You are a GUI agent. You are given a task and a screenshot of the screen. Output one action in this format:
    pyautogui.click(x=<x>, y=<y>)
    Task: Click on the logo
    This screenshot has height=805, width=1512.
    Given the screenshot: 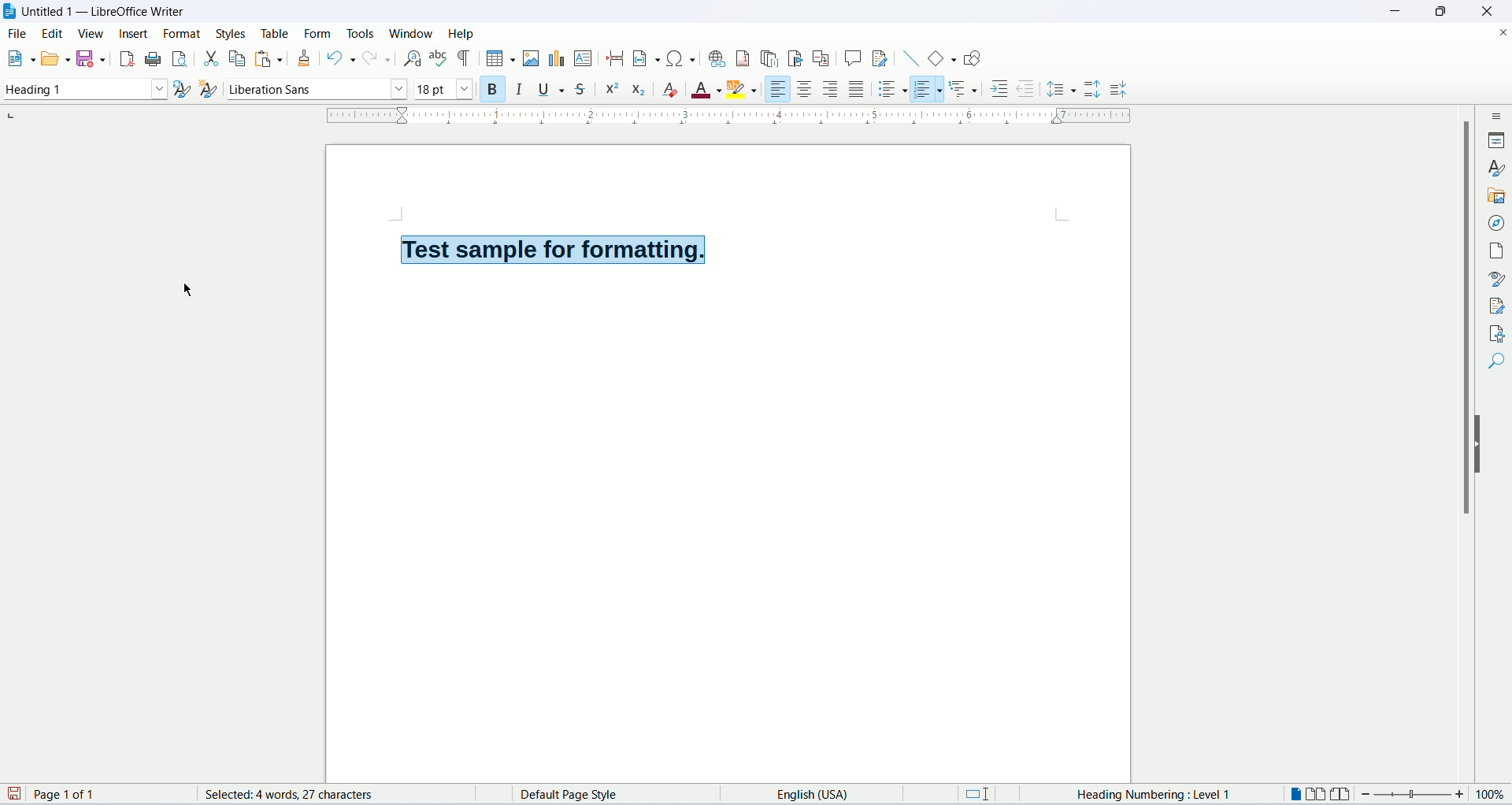 What is the action you would take?
    pyautogui.click(x=11, y=13)
    